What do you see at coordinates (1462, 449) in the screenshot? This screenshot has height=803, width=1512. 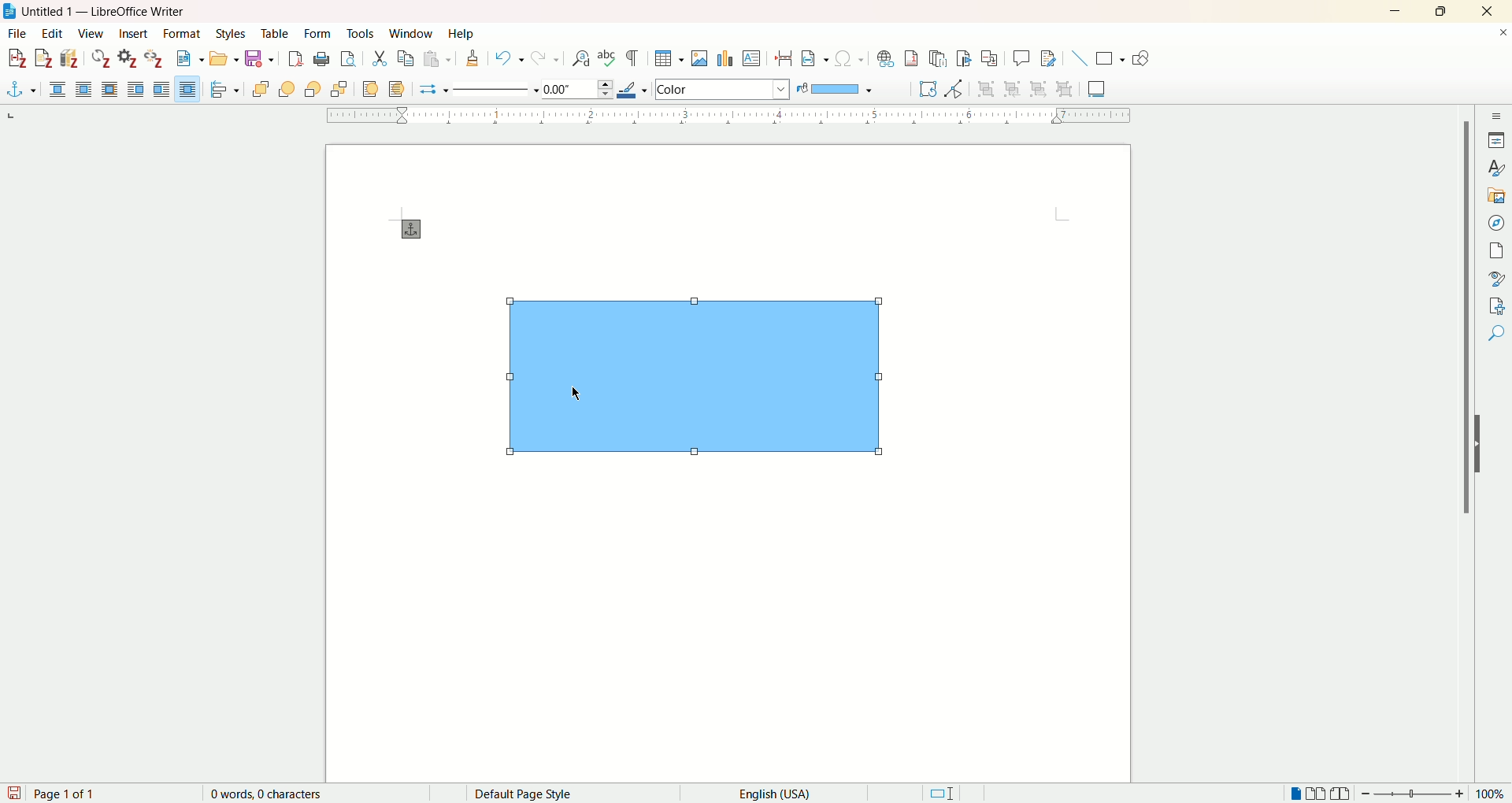 I see `vertical scroll bar` at bounding box center [1462, 449].